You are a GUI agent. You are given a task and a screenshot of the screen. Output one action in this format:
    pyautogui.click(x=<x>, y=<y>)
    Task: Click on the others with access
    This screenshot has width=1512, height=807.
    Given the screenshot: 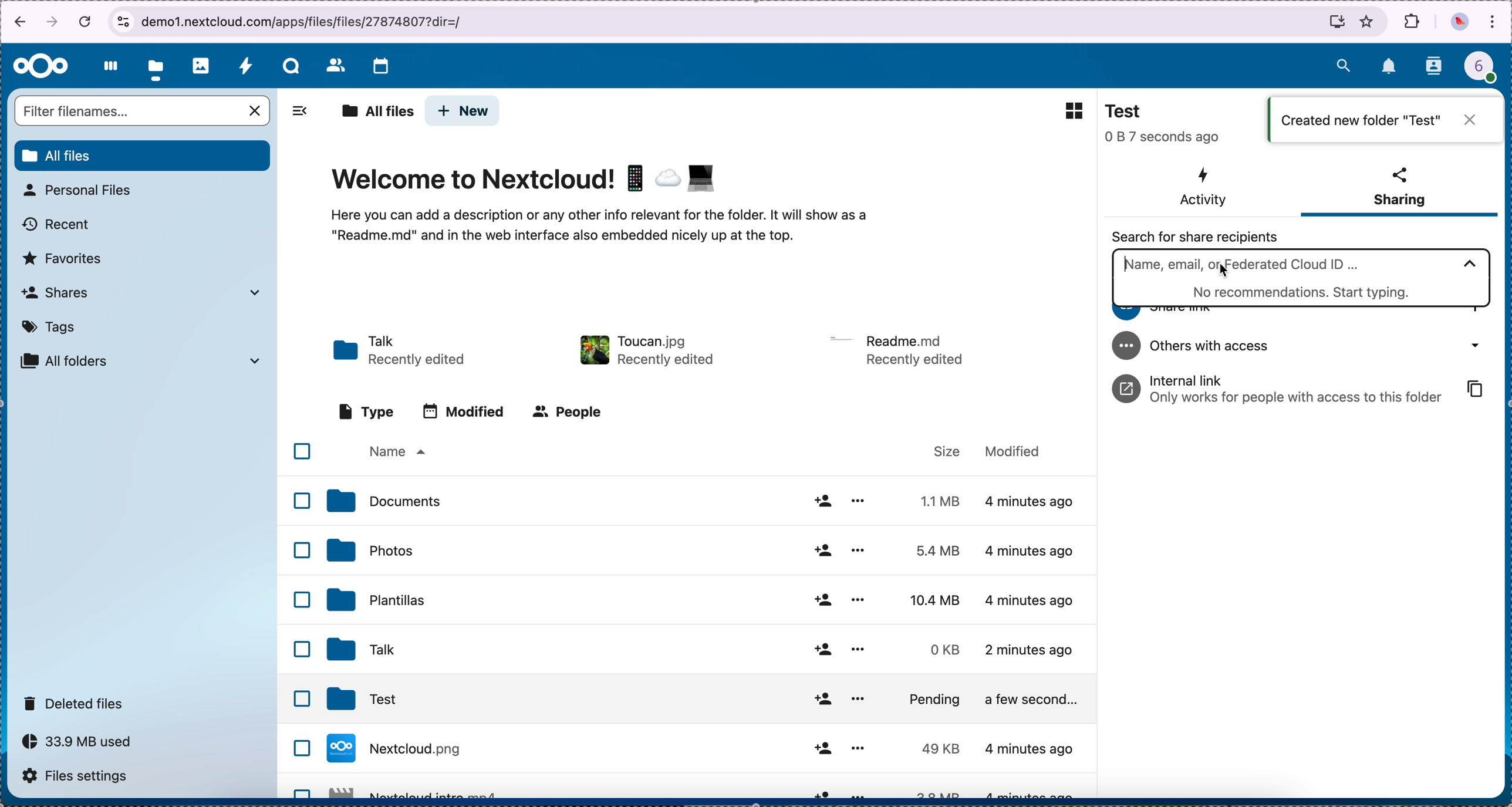 What is the action you would take?
    pyautogui.click(x=1297, y=346)
    